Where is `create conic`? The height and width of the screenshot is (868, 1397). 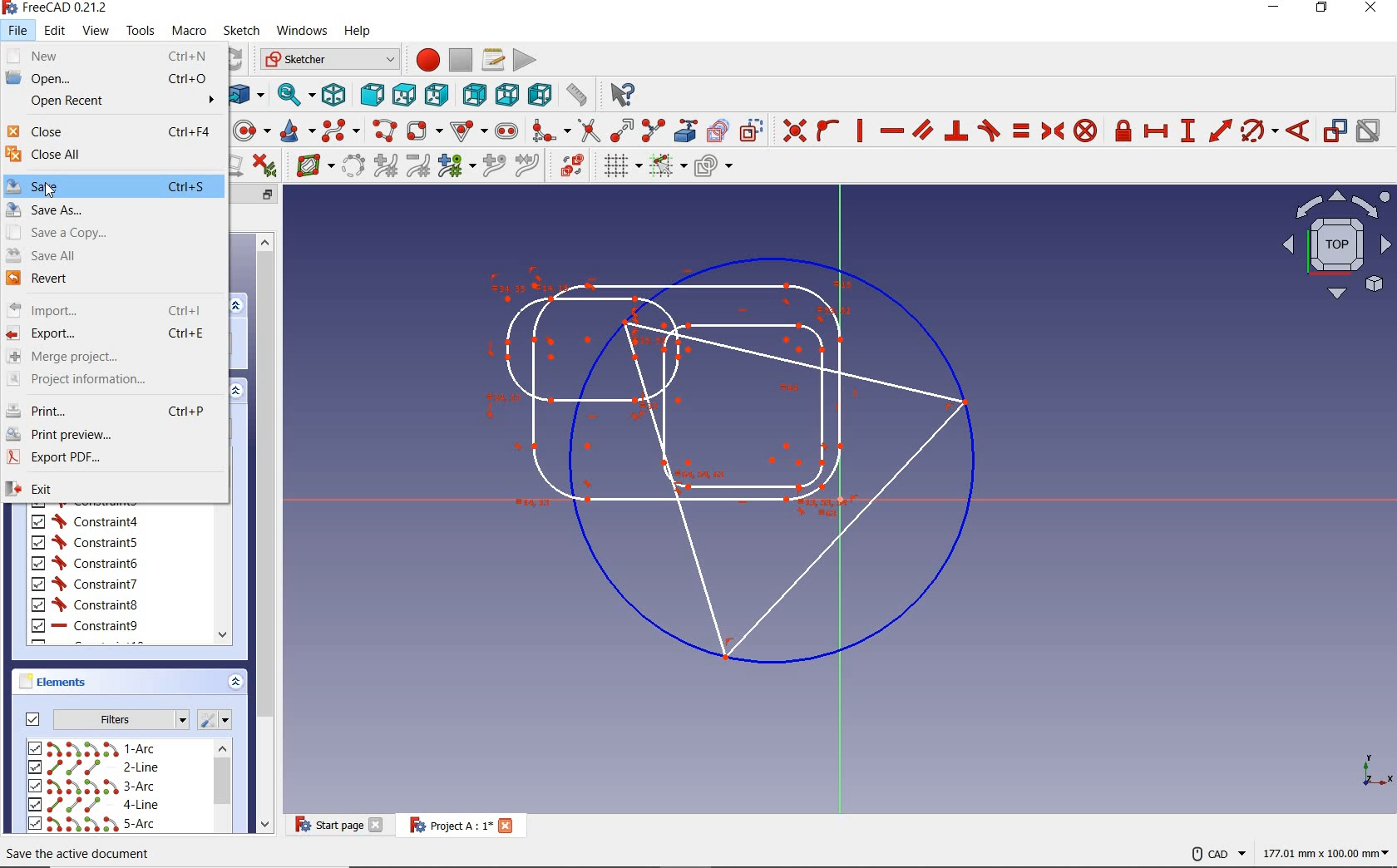 create conic is located at coordinates (294, 131).